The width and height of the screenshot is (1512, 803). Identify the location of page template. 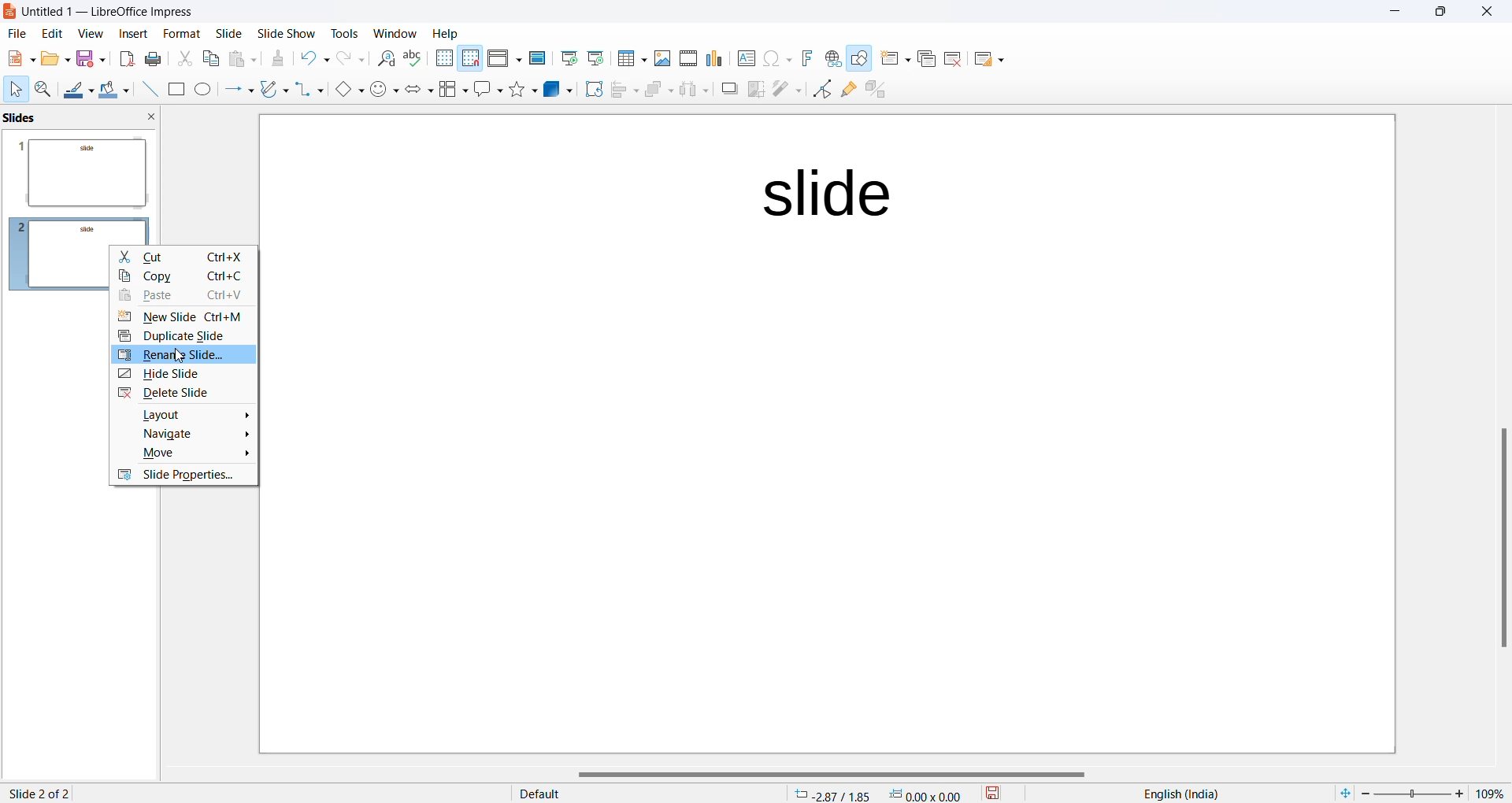
(831, 437).